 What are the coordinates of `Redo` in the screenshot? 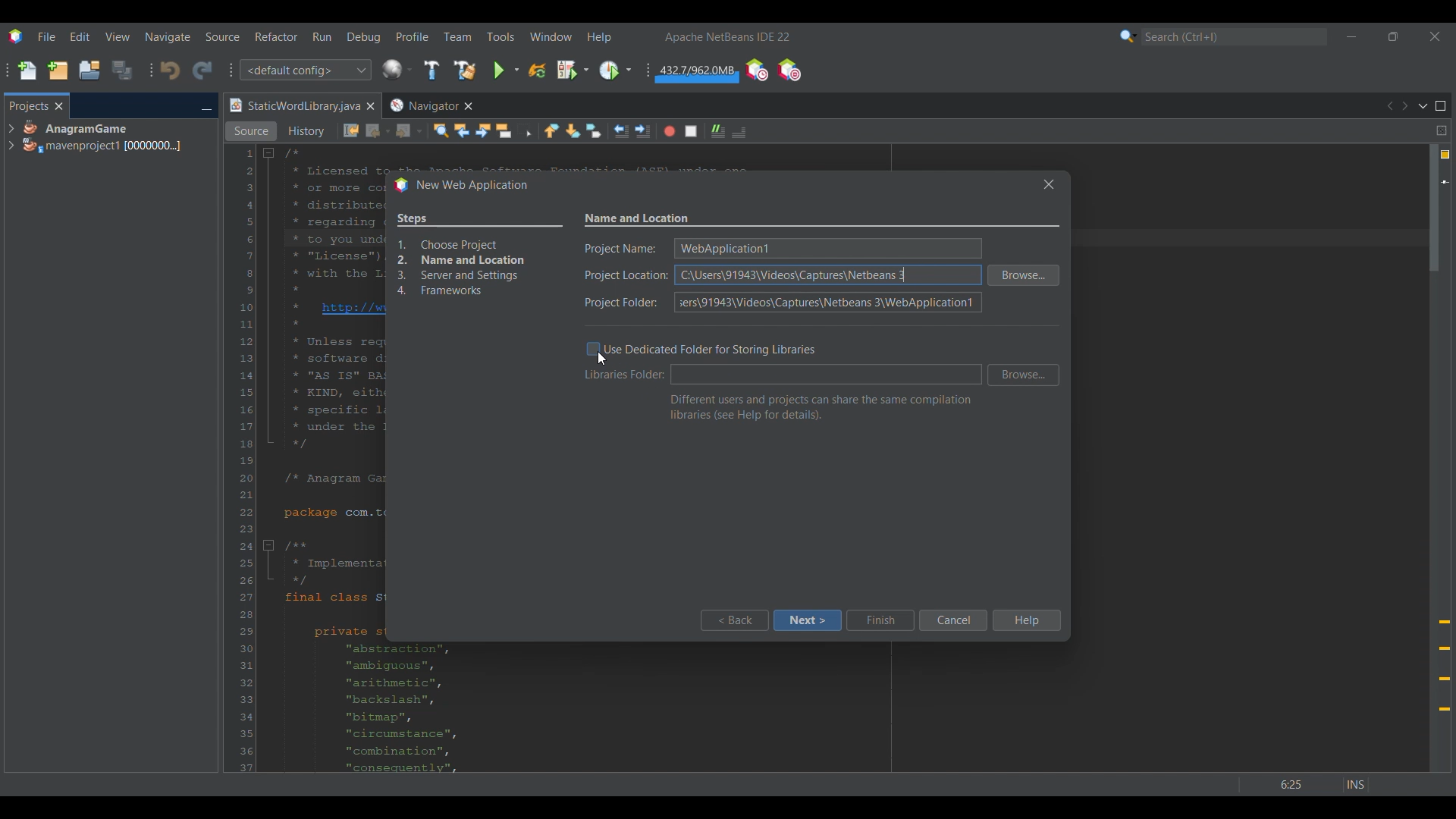 It's located at (202, 70).